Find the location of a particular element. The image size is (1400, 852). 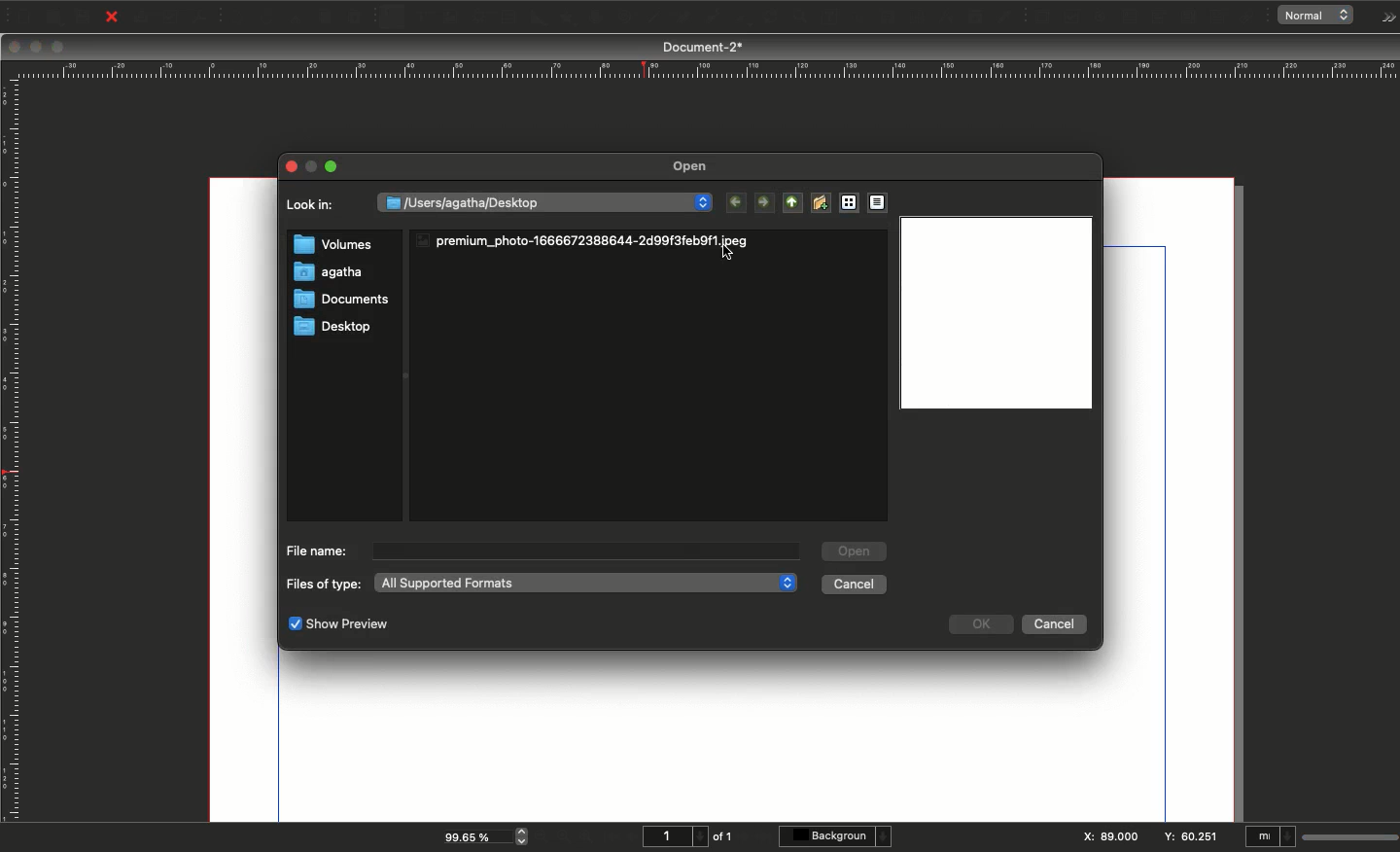

Arc is located at coordinates (595, 18).